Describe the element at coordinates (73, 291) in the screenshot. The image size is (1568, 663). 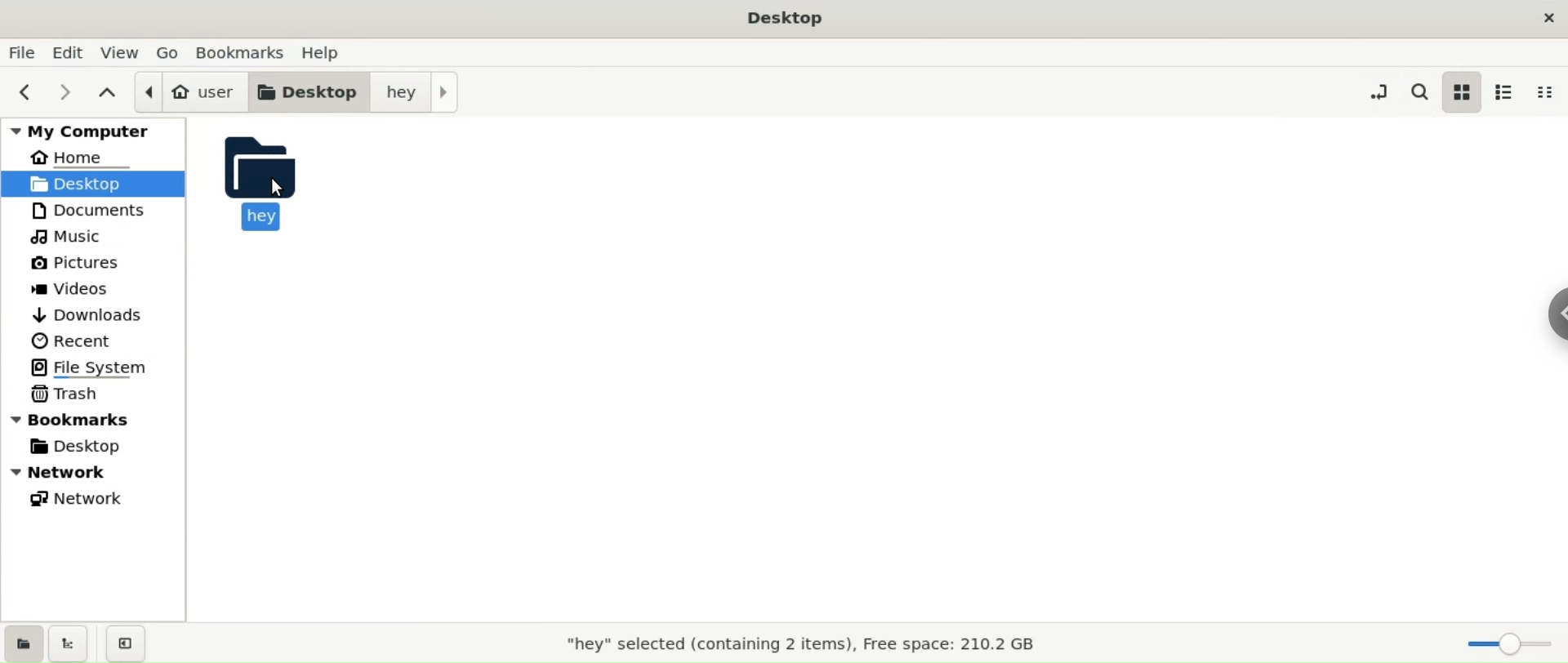
I see `videos` at that location.